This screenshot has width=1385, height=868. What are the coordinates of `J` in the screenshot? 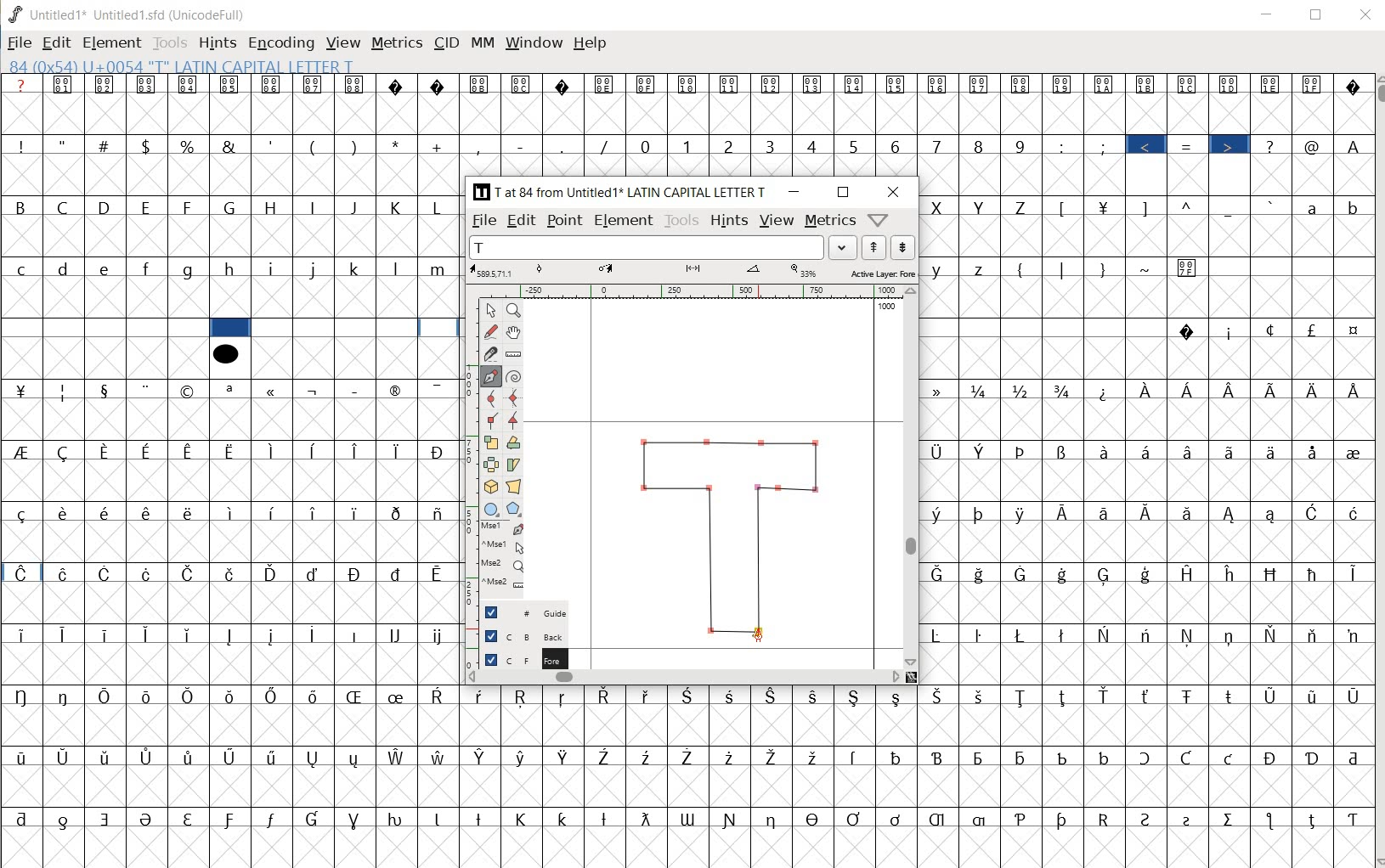 It's located at (356, 207).